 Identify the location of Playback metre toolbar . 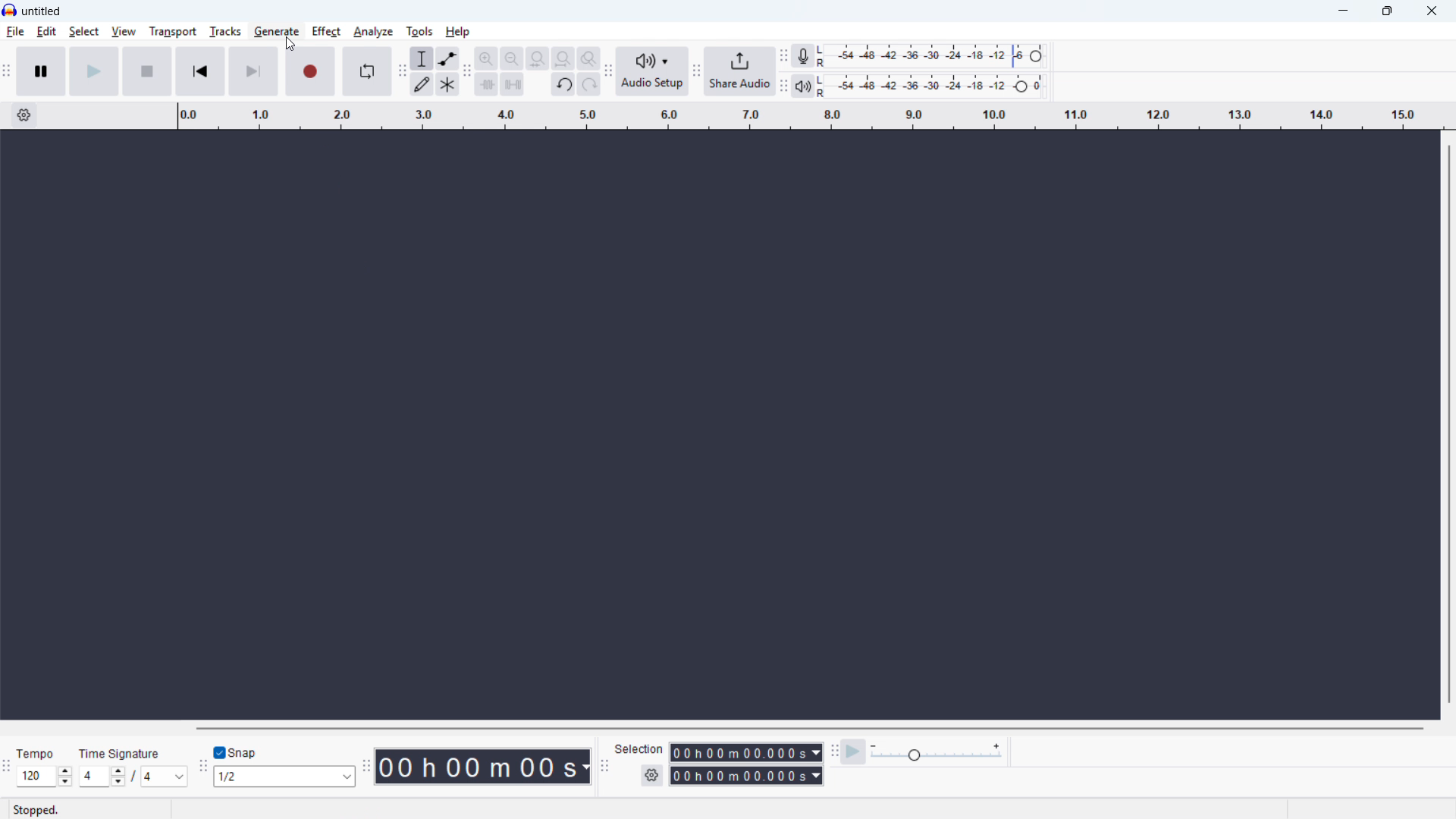
(783, 86).